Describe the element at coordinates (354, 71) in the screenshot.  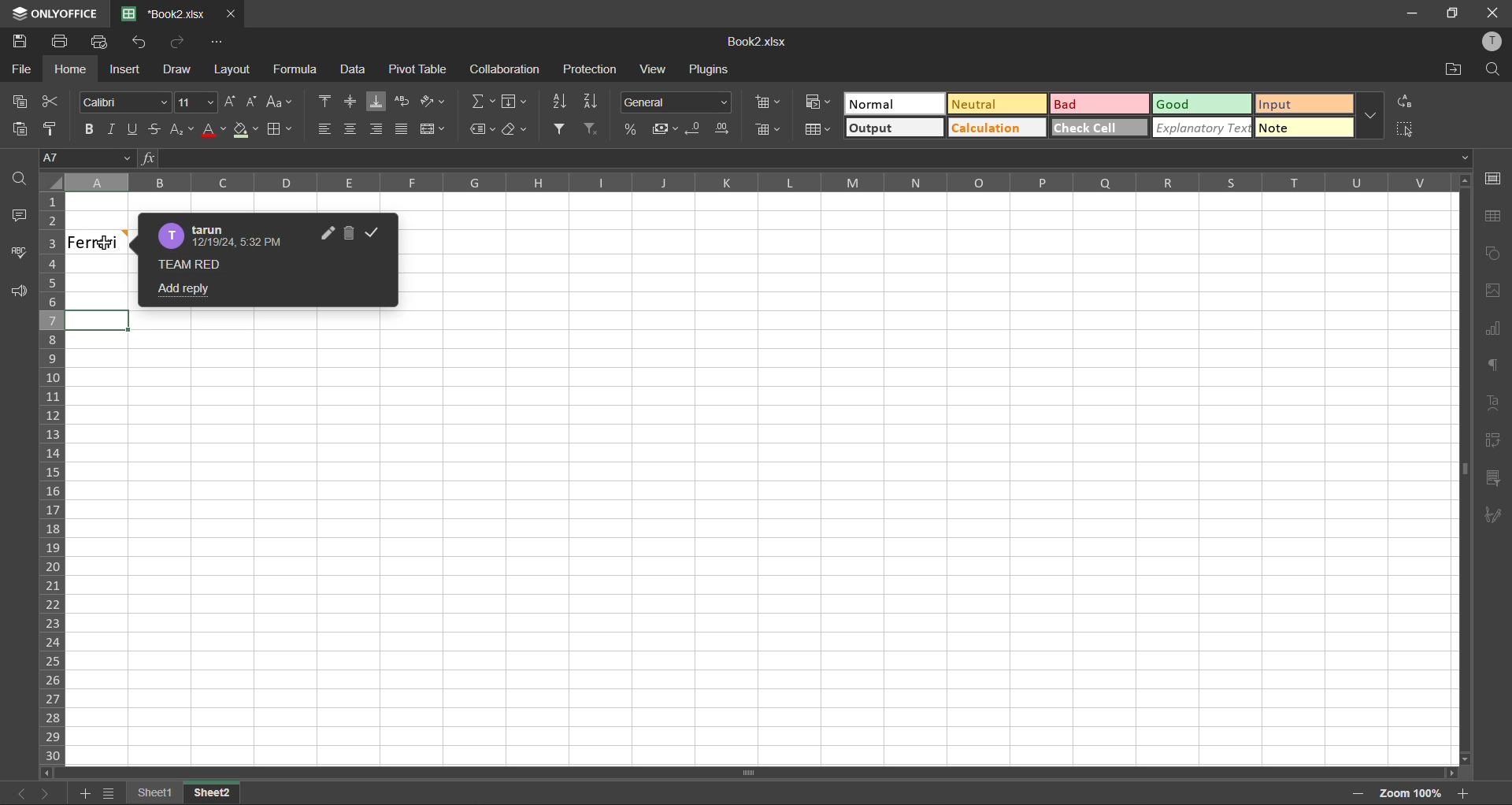
I see `data` at that location.